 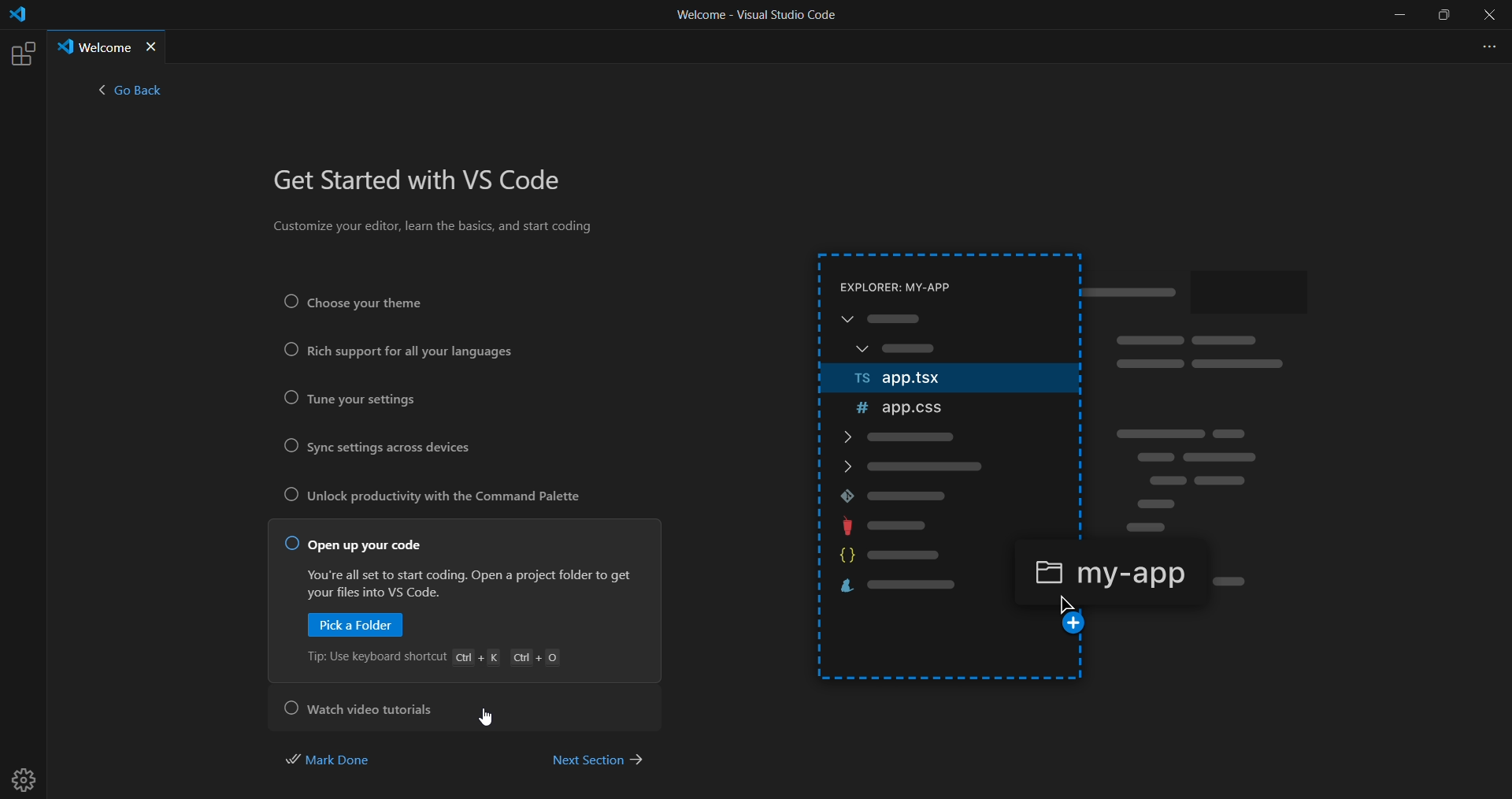 What do you see at coordinates (358, 400) in the screenshot?
I see `tune your settings` at bounding box center [358, 400].